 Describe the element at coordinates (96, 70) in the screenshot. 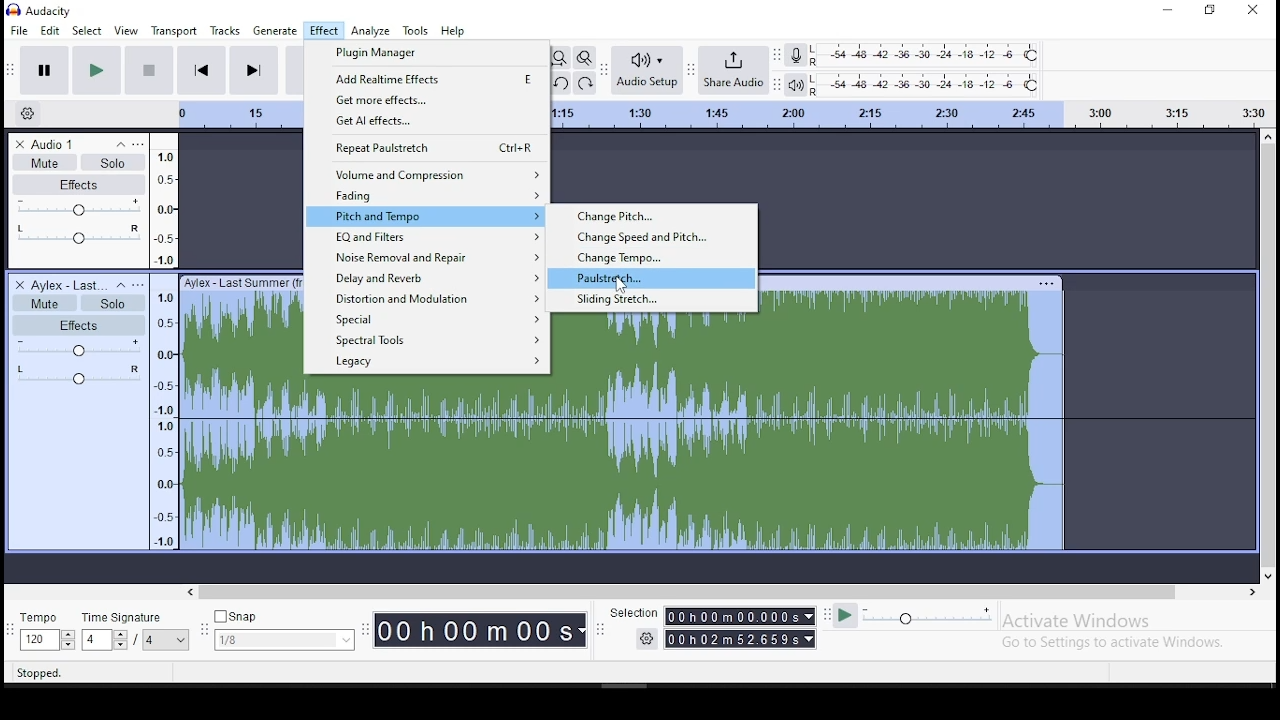

I see `pause` at that location.